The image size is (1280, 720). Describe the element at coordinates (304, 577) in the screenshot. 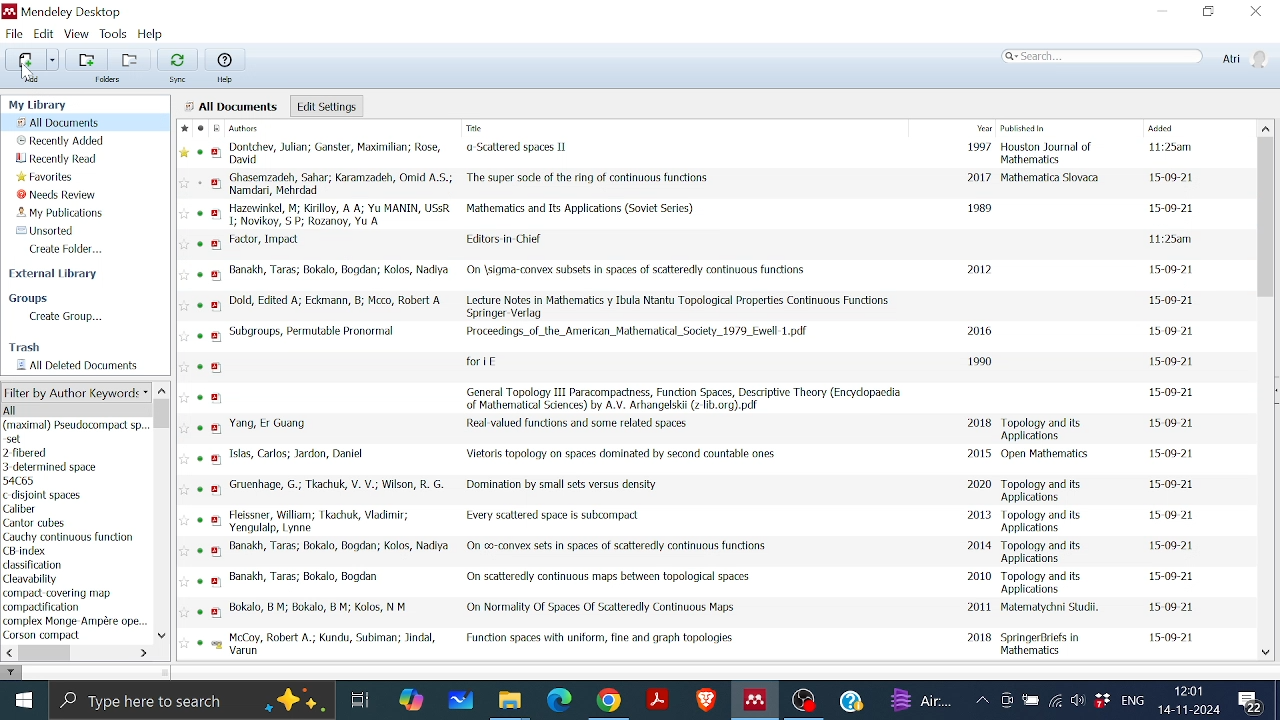

I see `Author` at that location.